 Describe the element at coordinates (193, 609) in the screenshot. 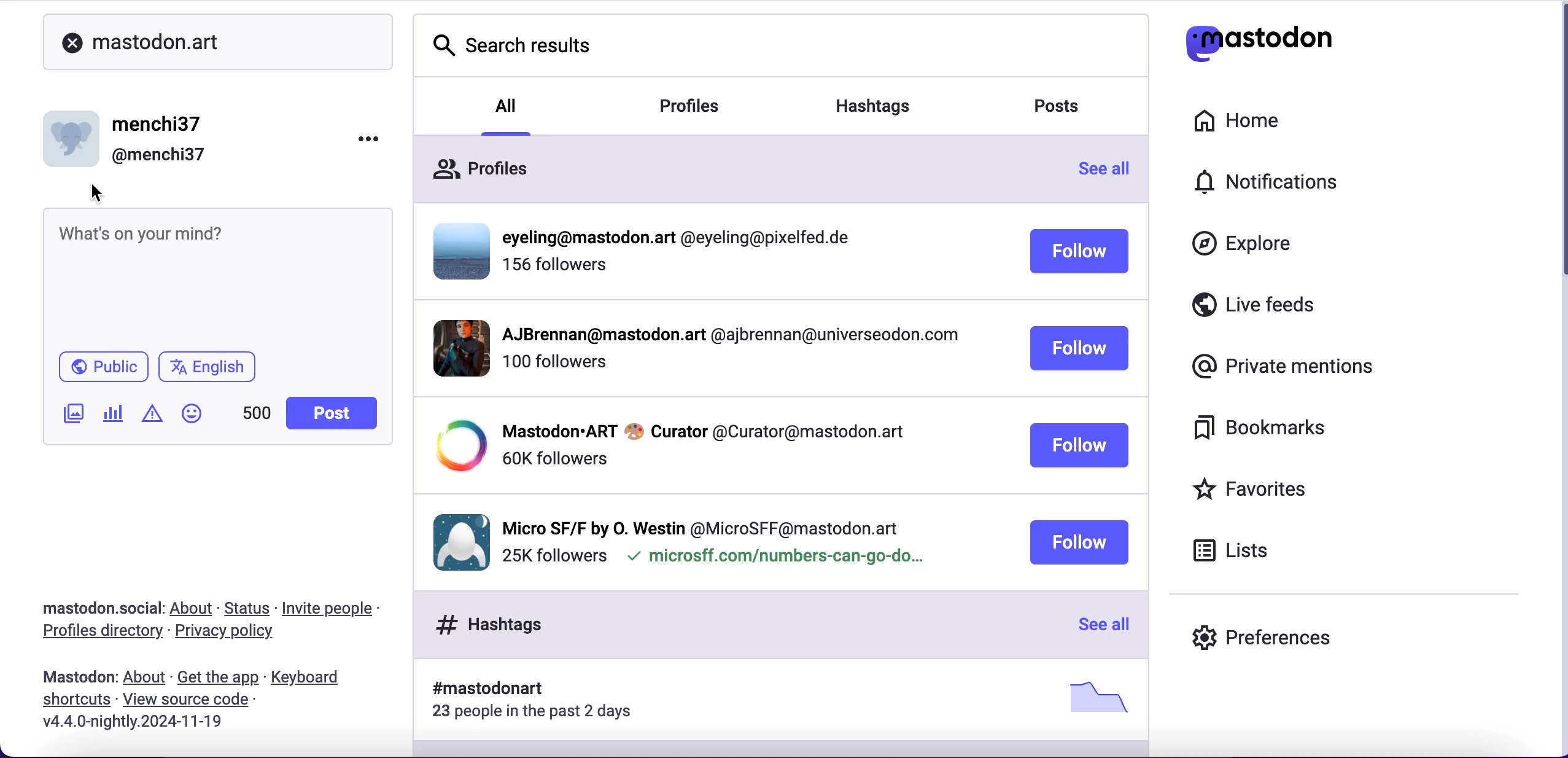

I see `about` at that location.